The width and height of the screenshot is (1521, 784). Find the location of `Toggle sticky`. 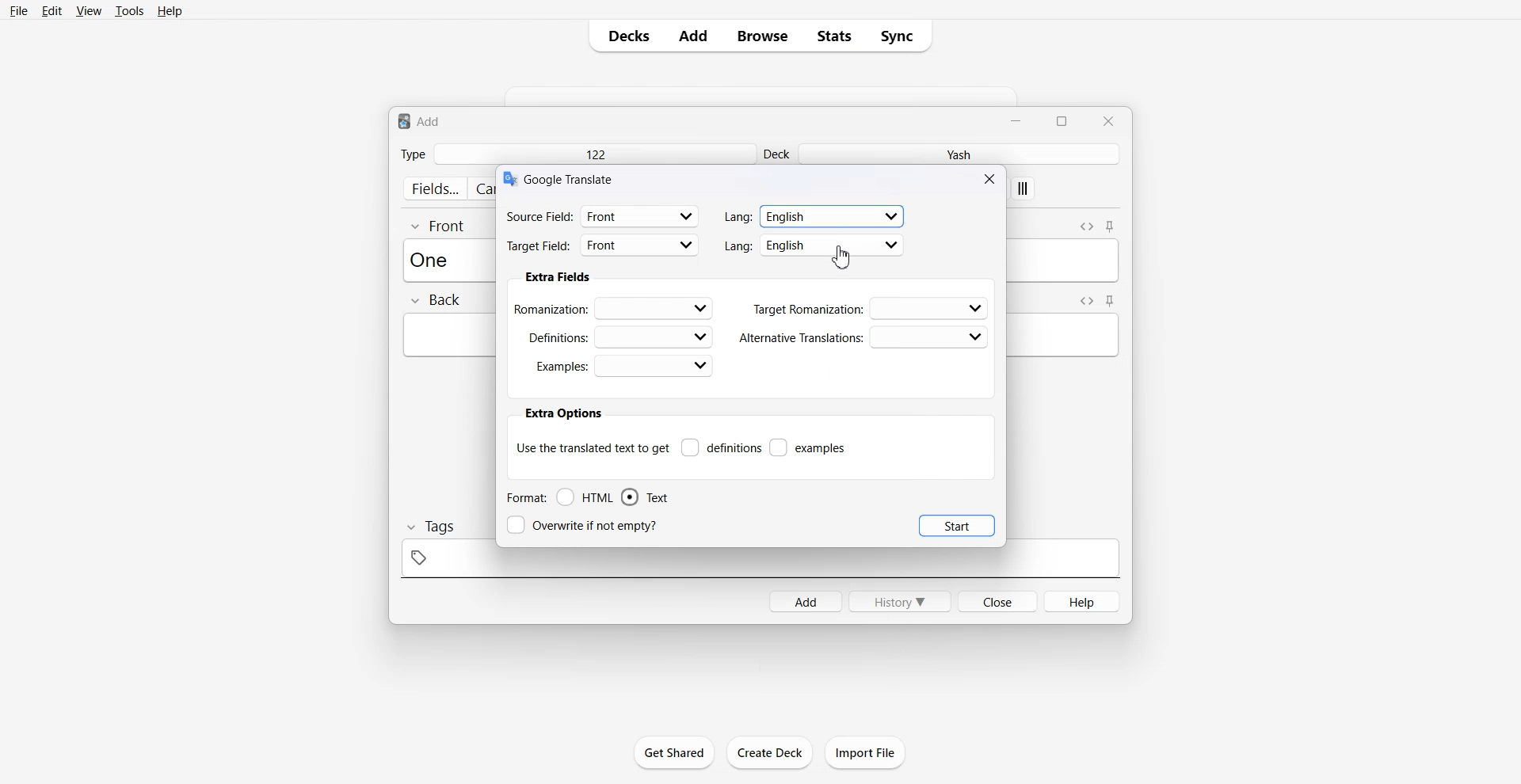

Toggle sticky is located at coordinates (1111, 301).